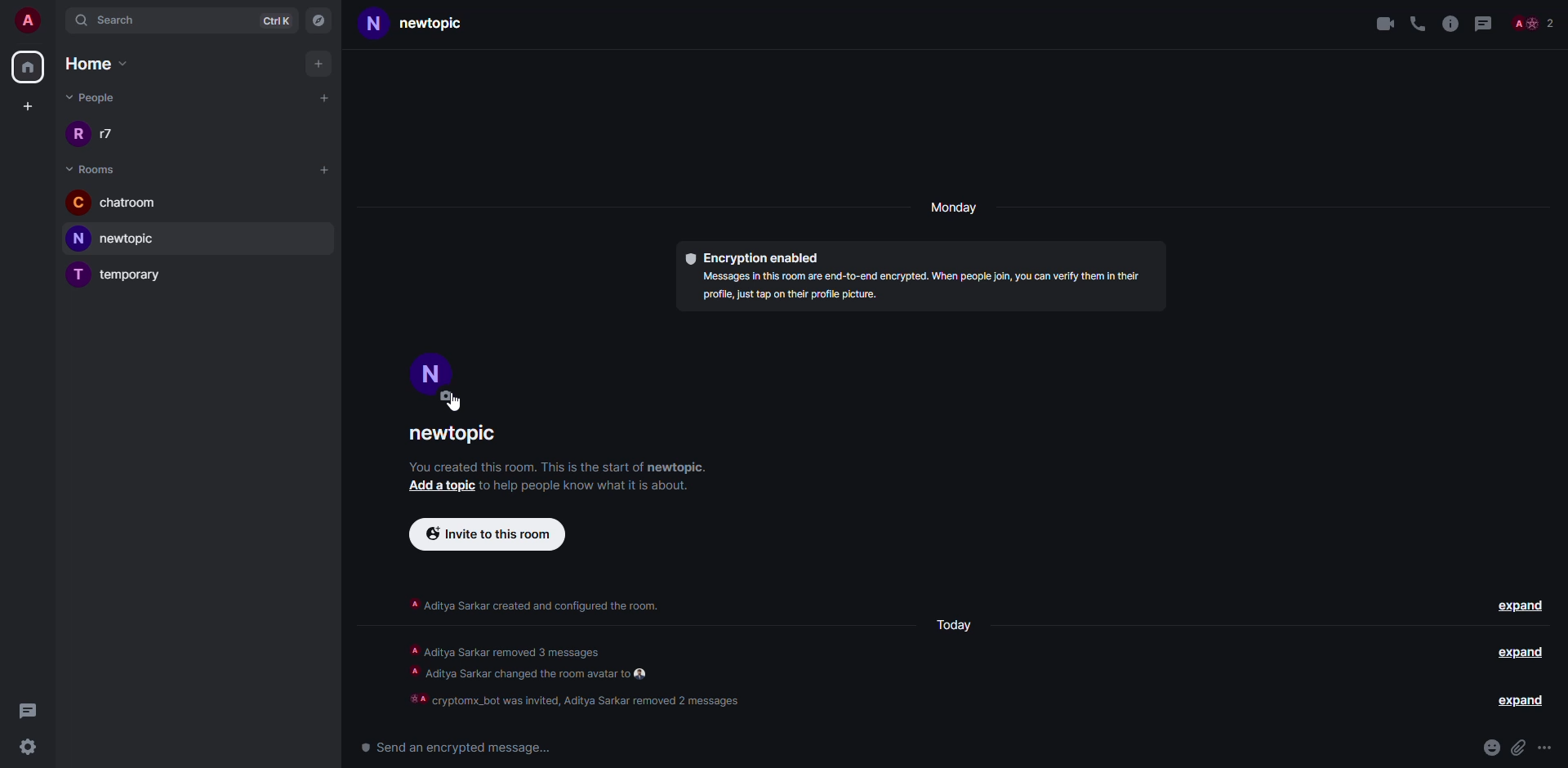 This screenshot has width=1568, height=768. What do you see at coordinates (957, 629) in the screenshot?
I see `Monday` at bounding box center [957, 629].